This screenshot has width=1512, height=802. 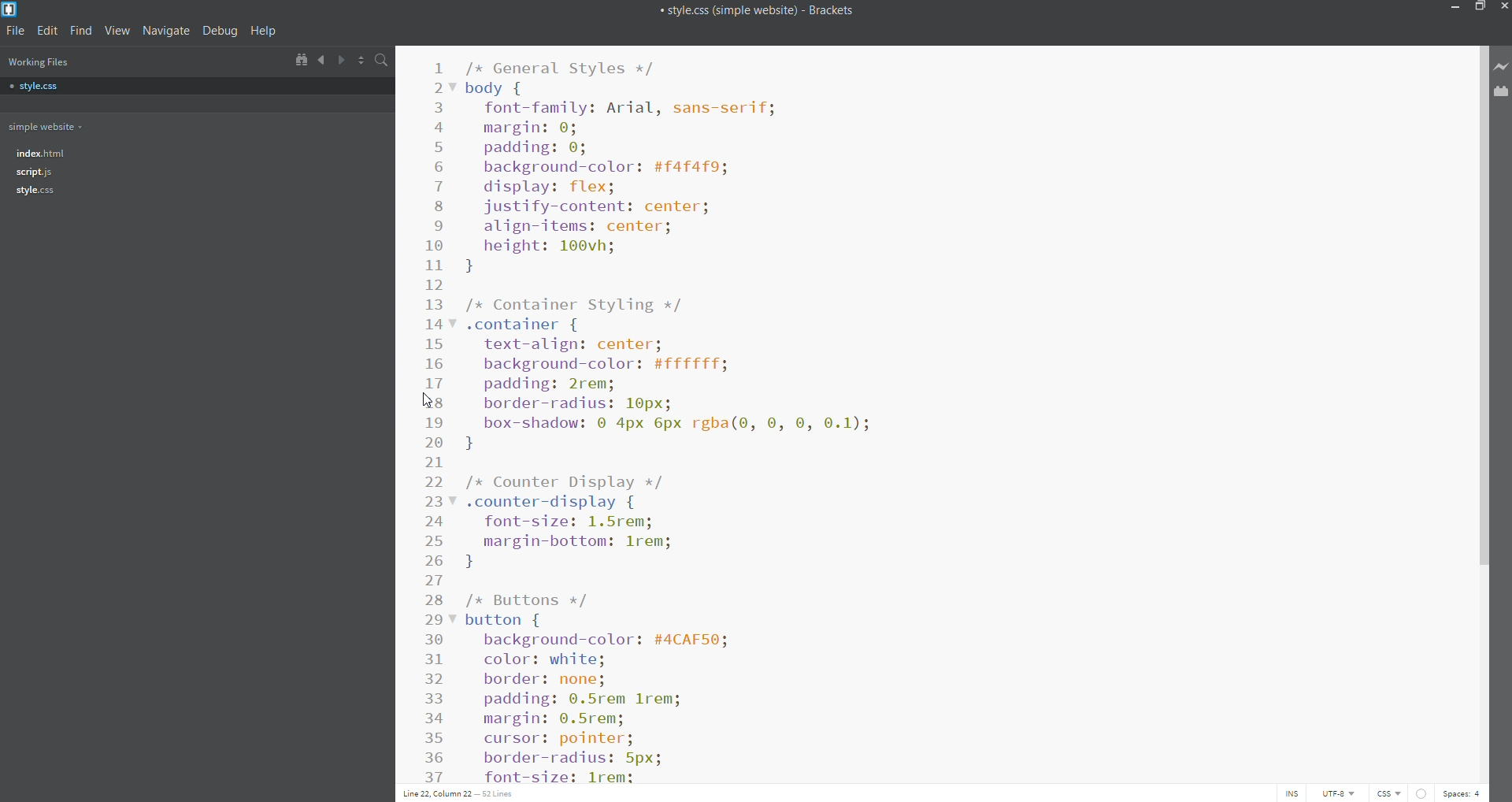 I want to click on close, so click(x=1503, y=8).